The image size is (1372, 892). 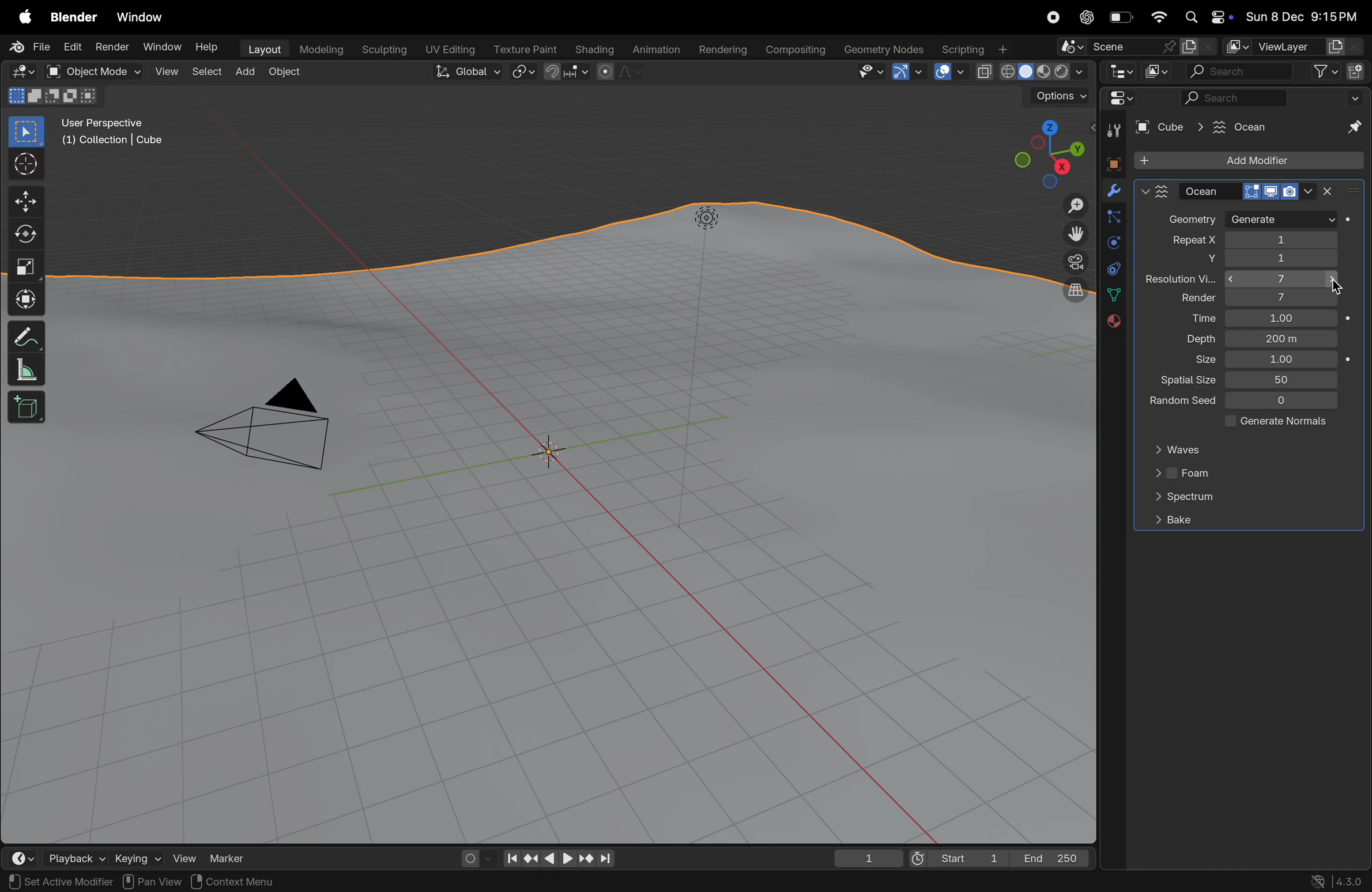 What do you see at coordinates (24, 858) in the screenshot?
I see `editor type` at bounding box center [24, 858].